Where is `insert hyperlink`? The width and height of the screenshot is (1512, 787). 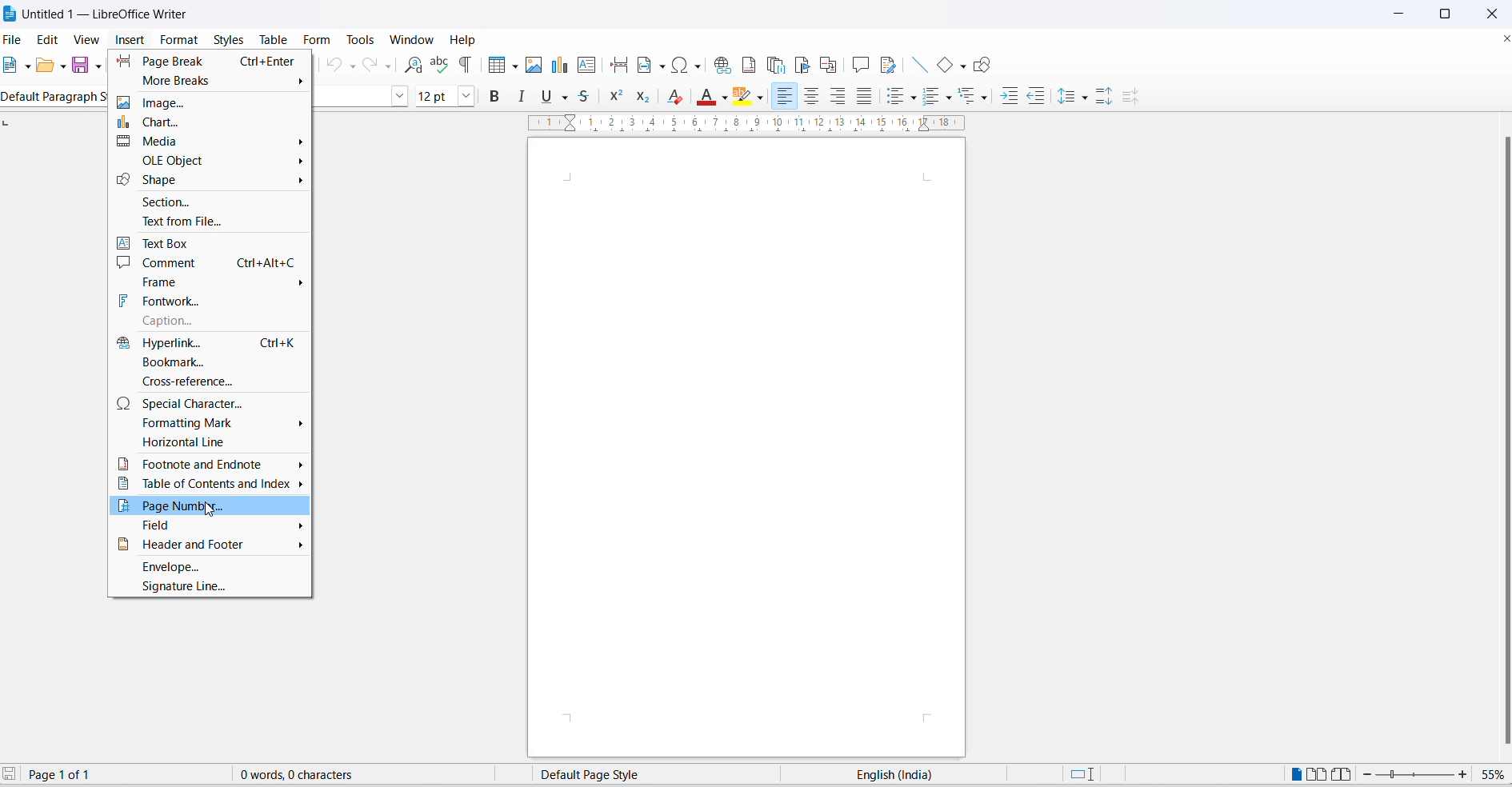 insert hyperlink is located at coordinates (722, 64).